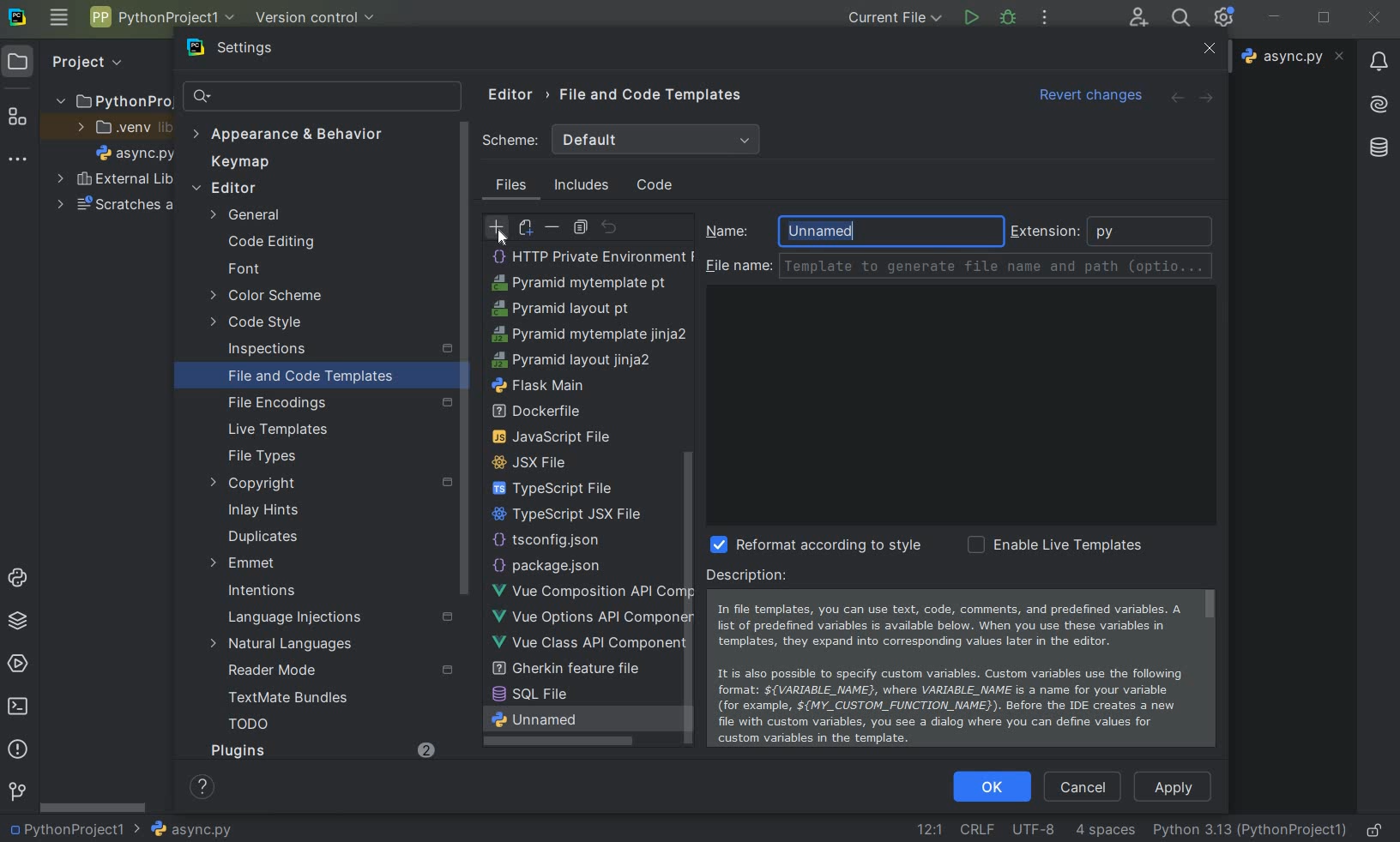  I want to click on editor, so click(221, 187).